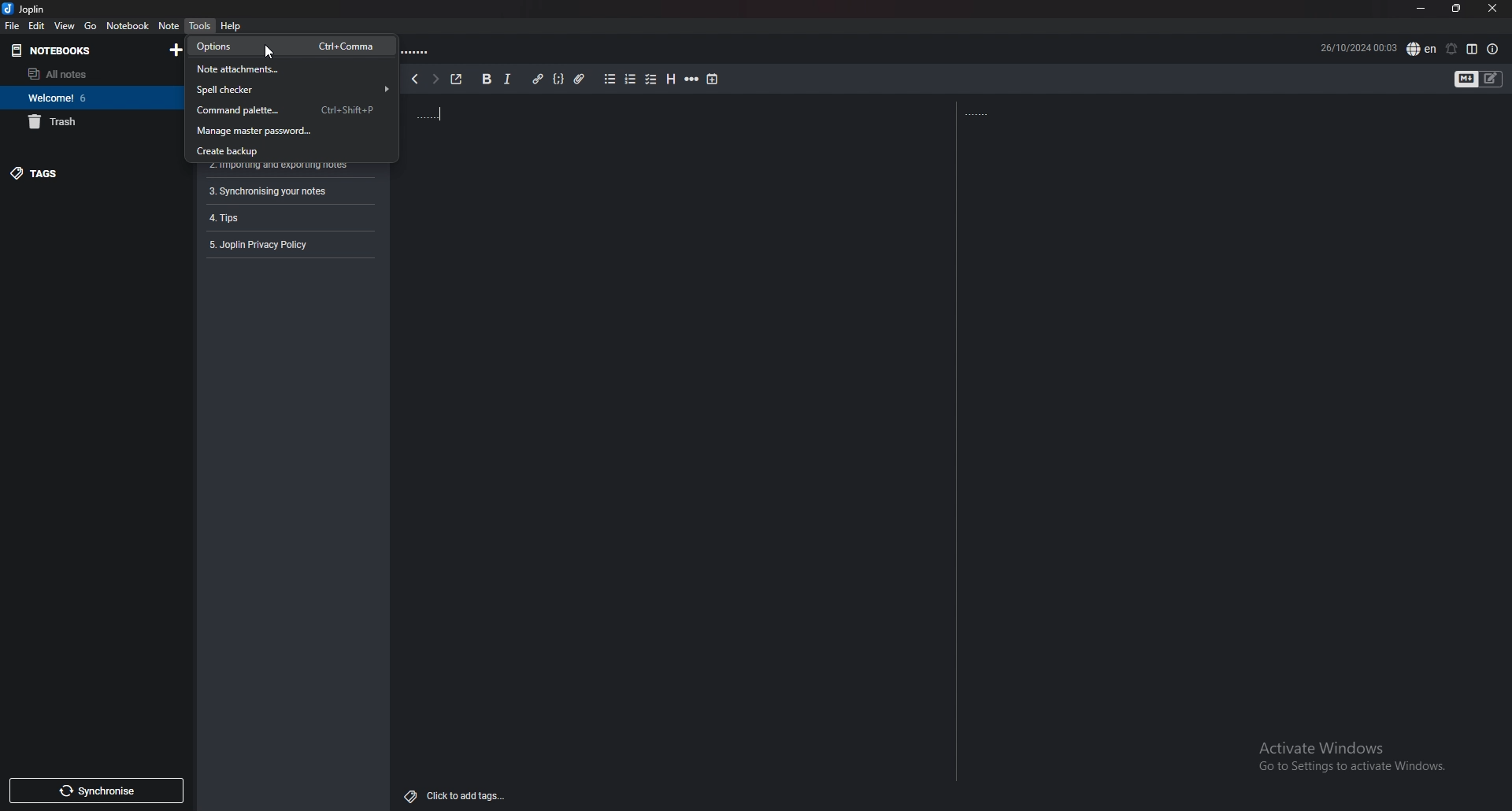 The image size is (1512, 811). Describe the element at coordinates (1358, 46) in the screenshot. I see `26/10/2024 00:03` at that location.